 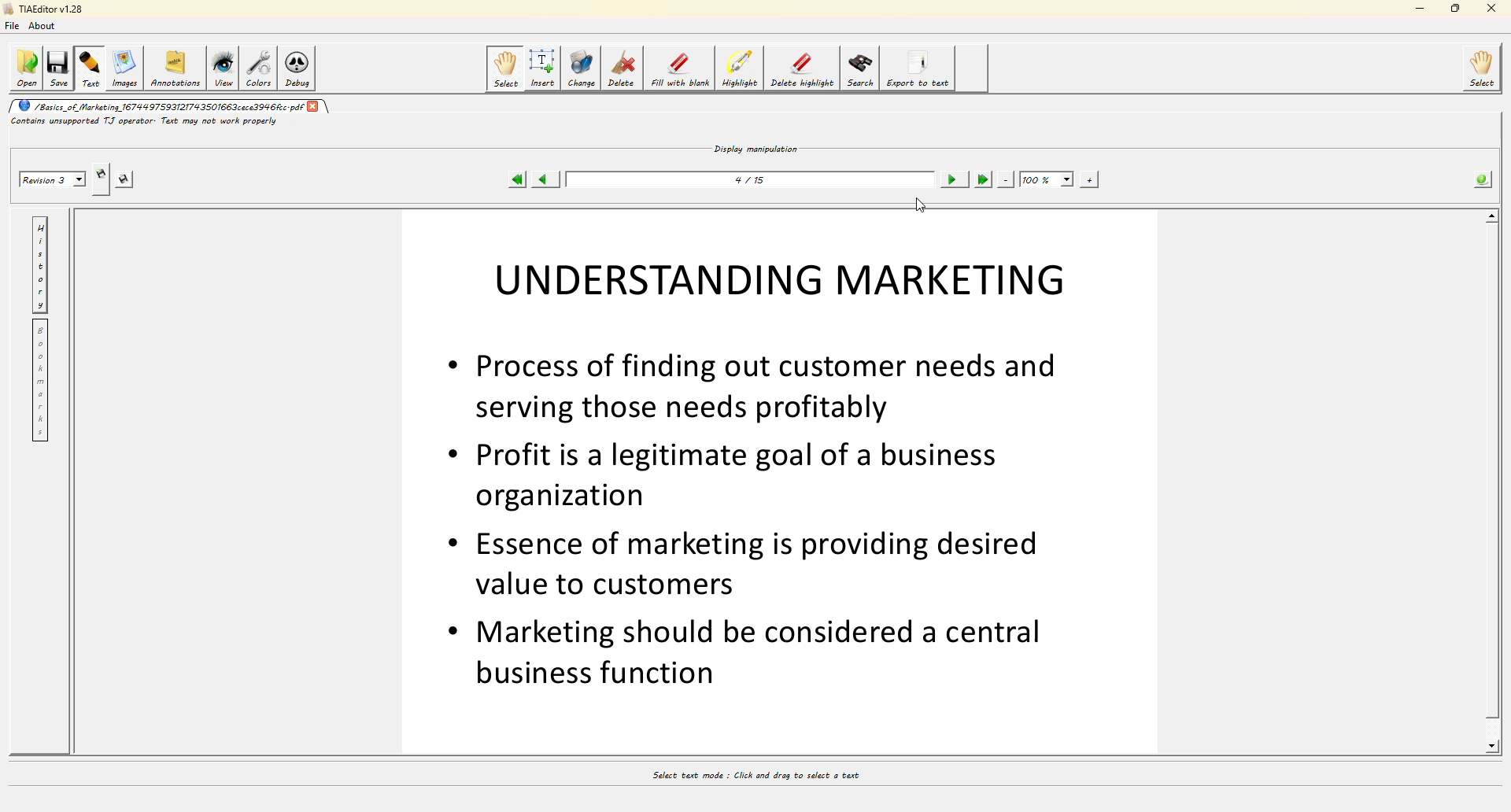 What do you see at coordinates (175, 66) in the screenshot?
I see `annotations` at bounding box center [175, 66].